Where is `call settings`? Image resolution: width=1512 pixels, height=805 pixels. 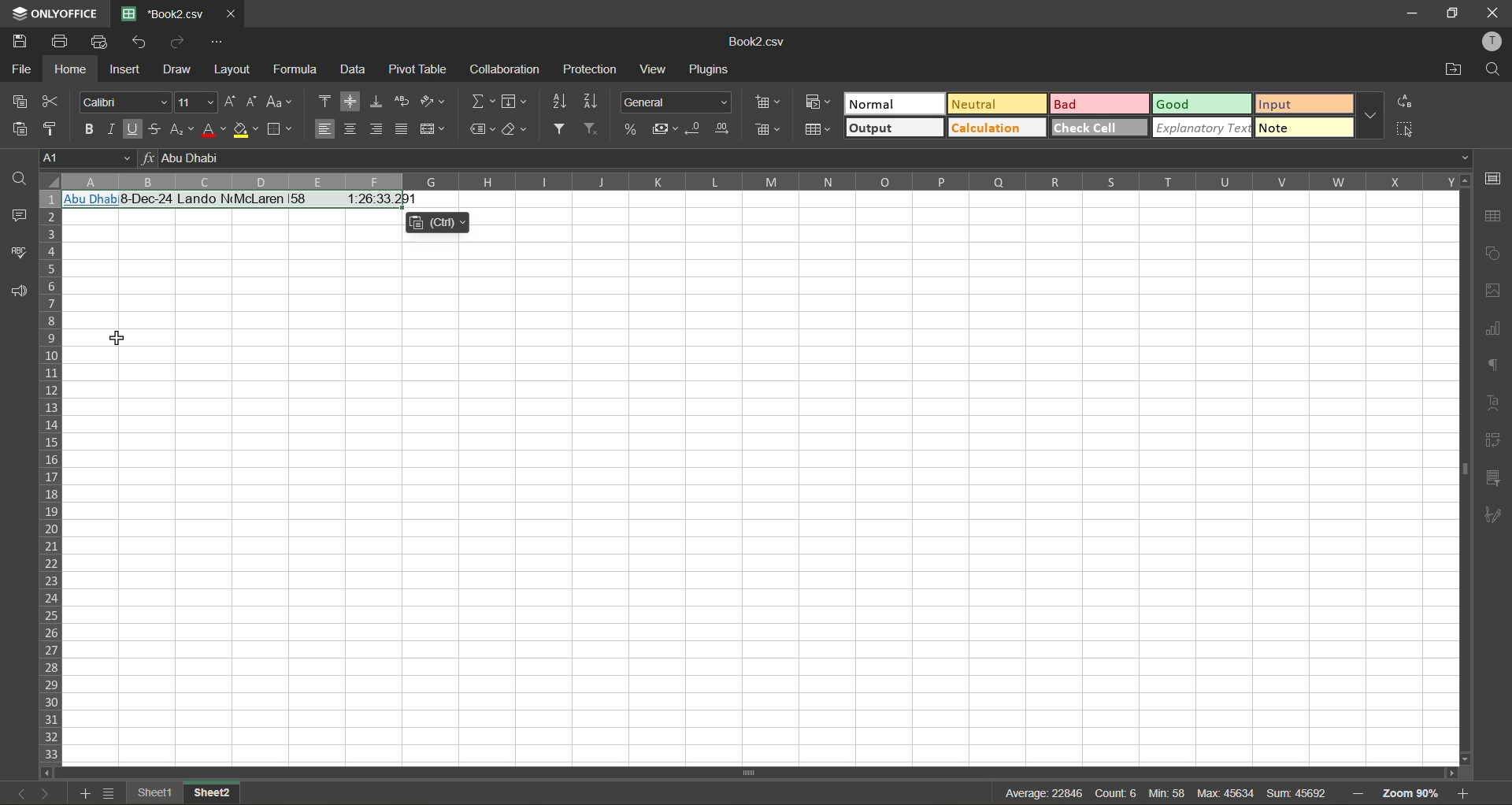 call settings is located at coordinates (1494, 178).